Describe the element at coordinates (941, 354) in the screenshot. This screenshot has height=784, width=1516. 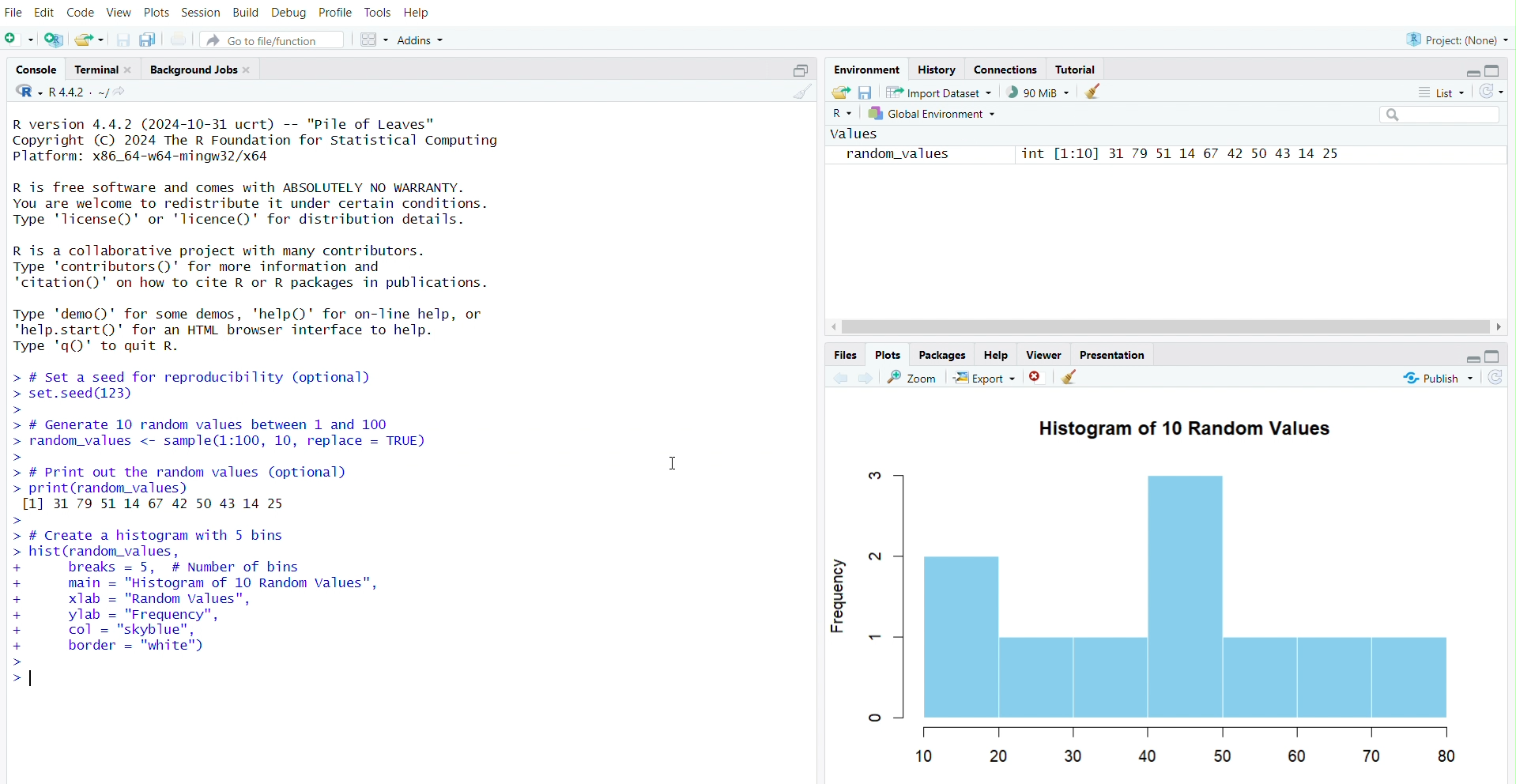
I see `packages` at that location.